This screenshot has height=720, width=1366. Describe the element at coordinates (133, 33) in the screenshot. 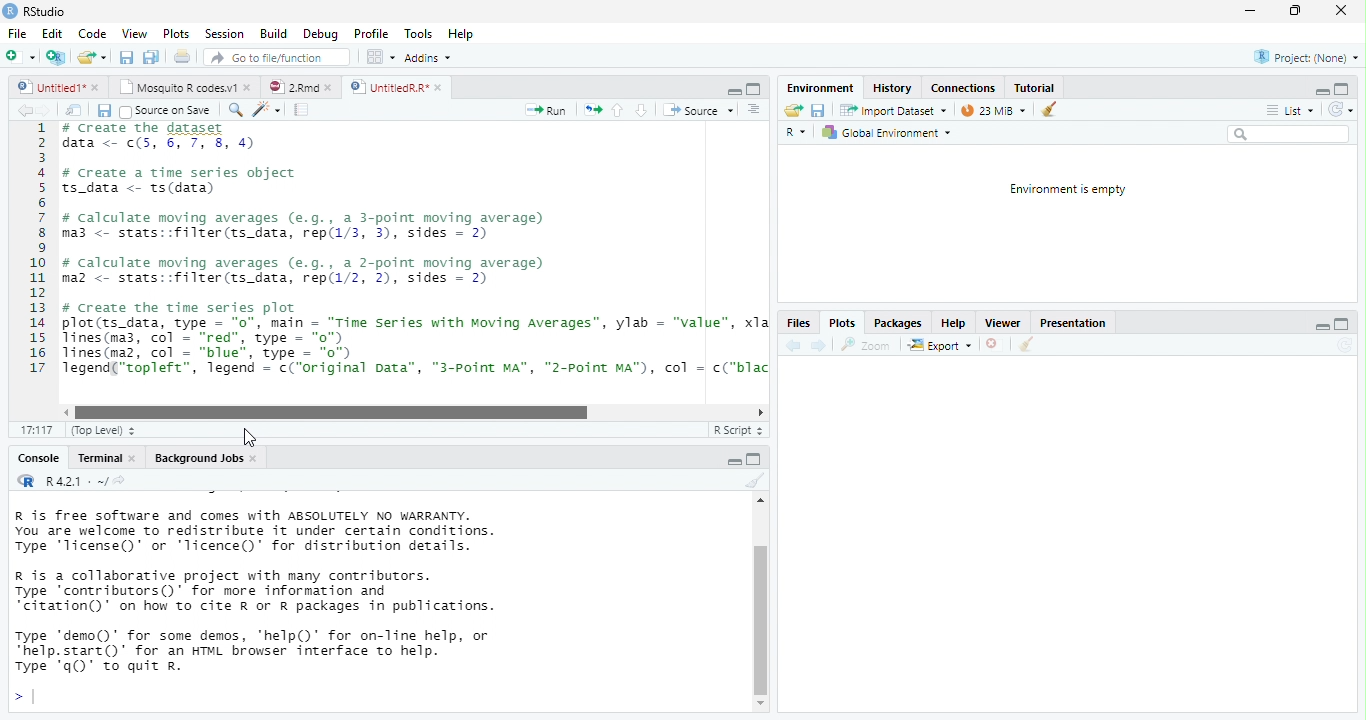

I see `View` at that location.